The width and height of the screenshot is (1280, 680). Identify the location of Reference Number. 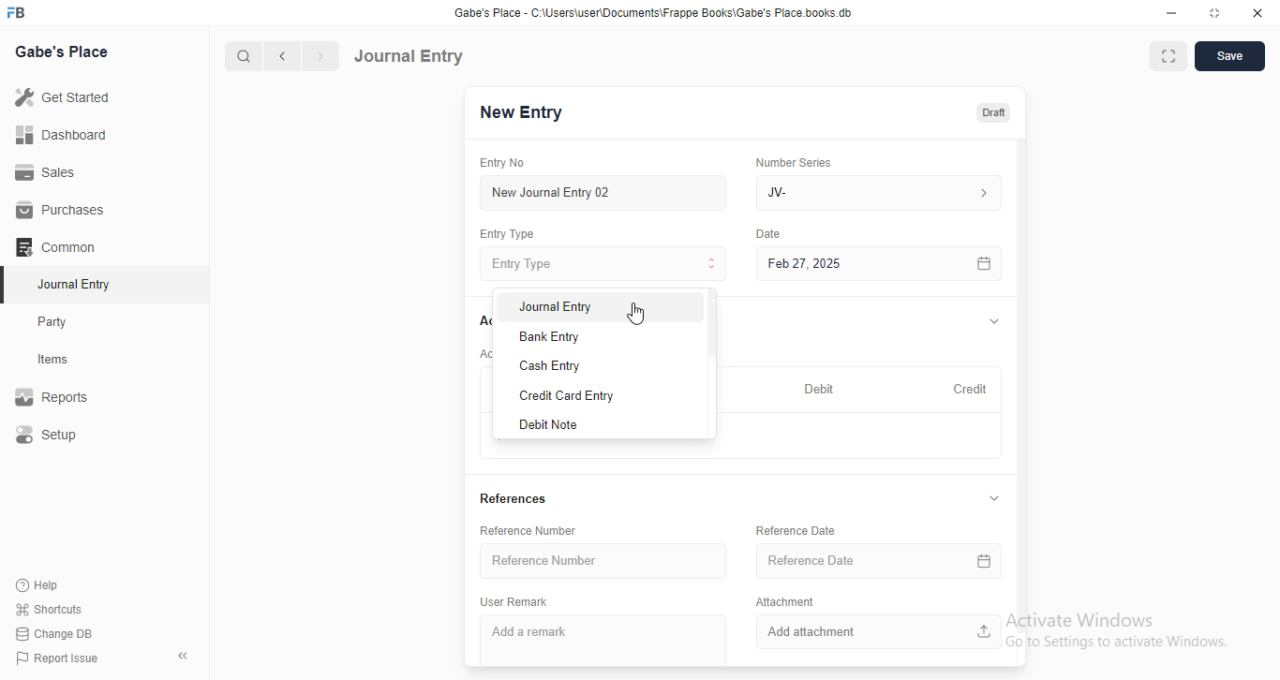
(529, 530).